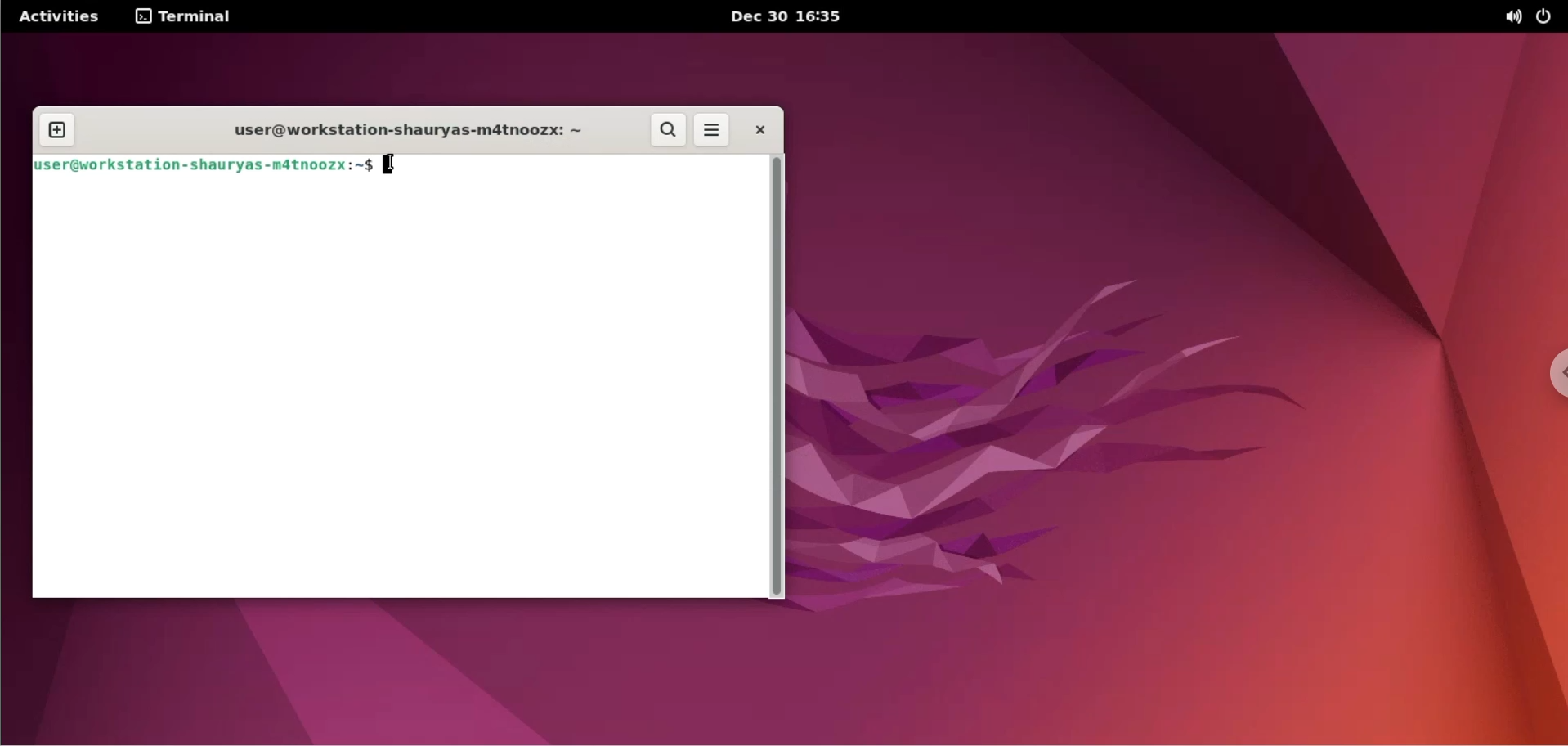  I want to click on close, so click(760, 130).